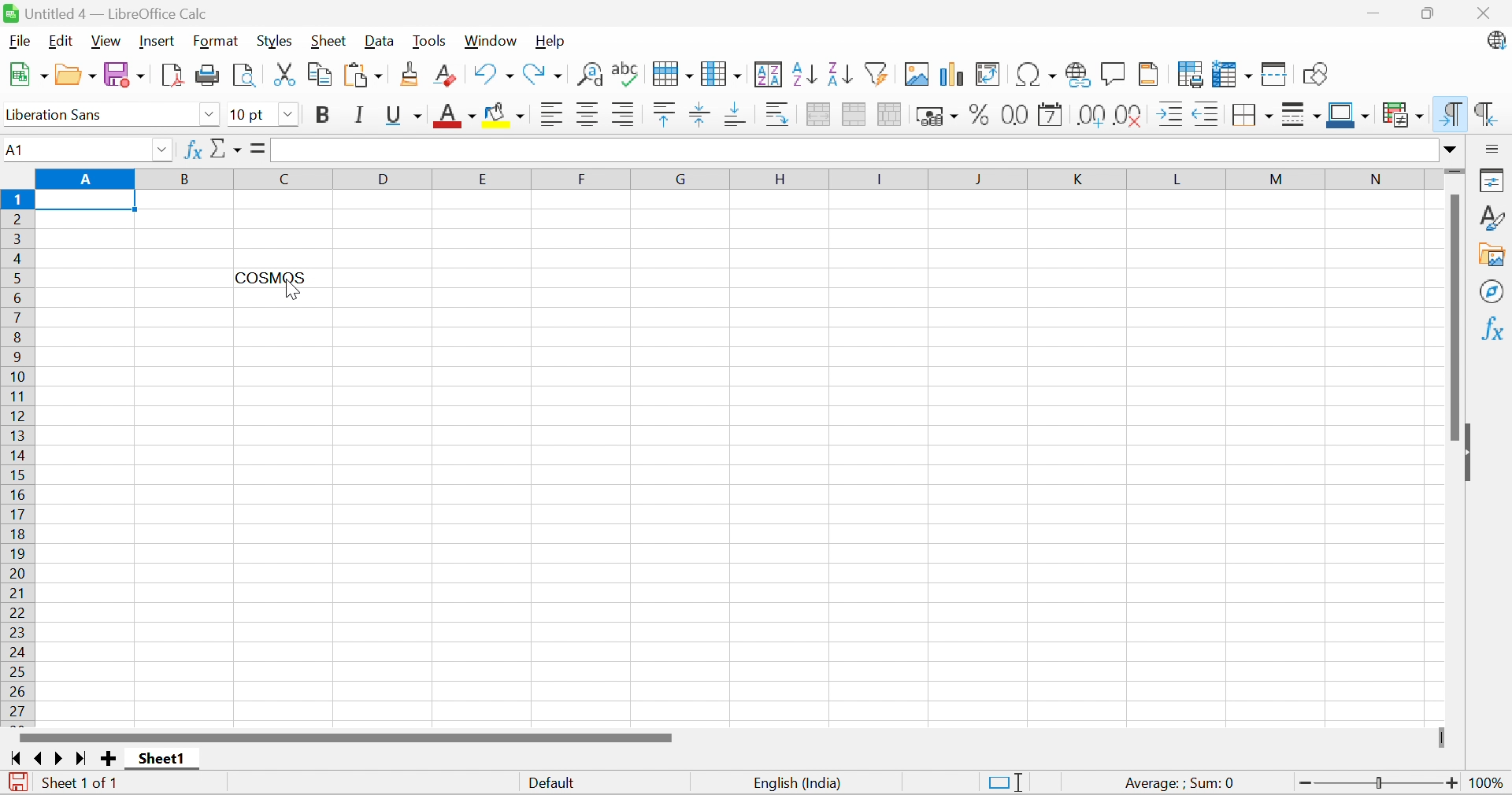  Describe the element at coordinates (1003, 782) in the screenshot. I see `Standard Selection. Click to change the selection mode.` at that location.